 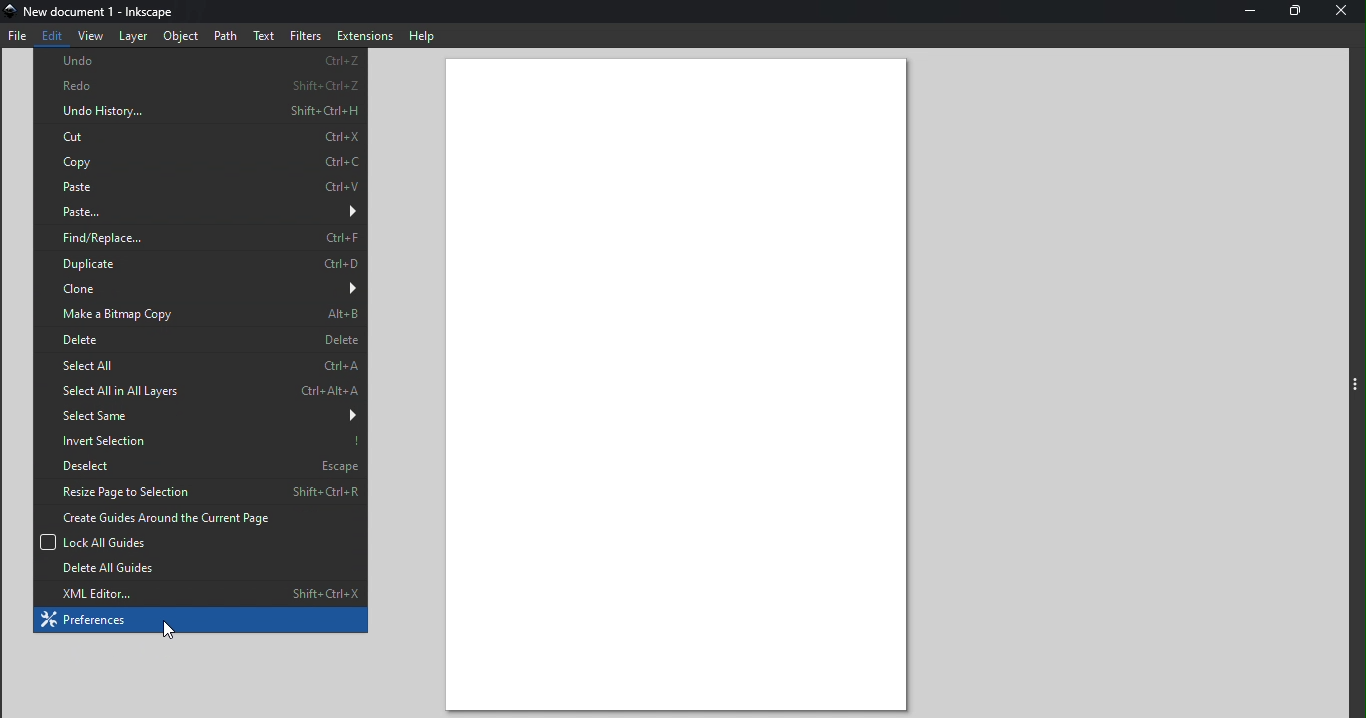 I want to click on Cut, so click(x=196, y=137).